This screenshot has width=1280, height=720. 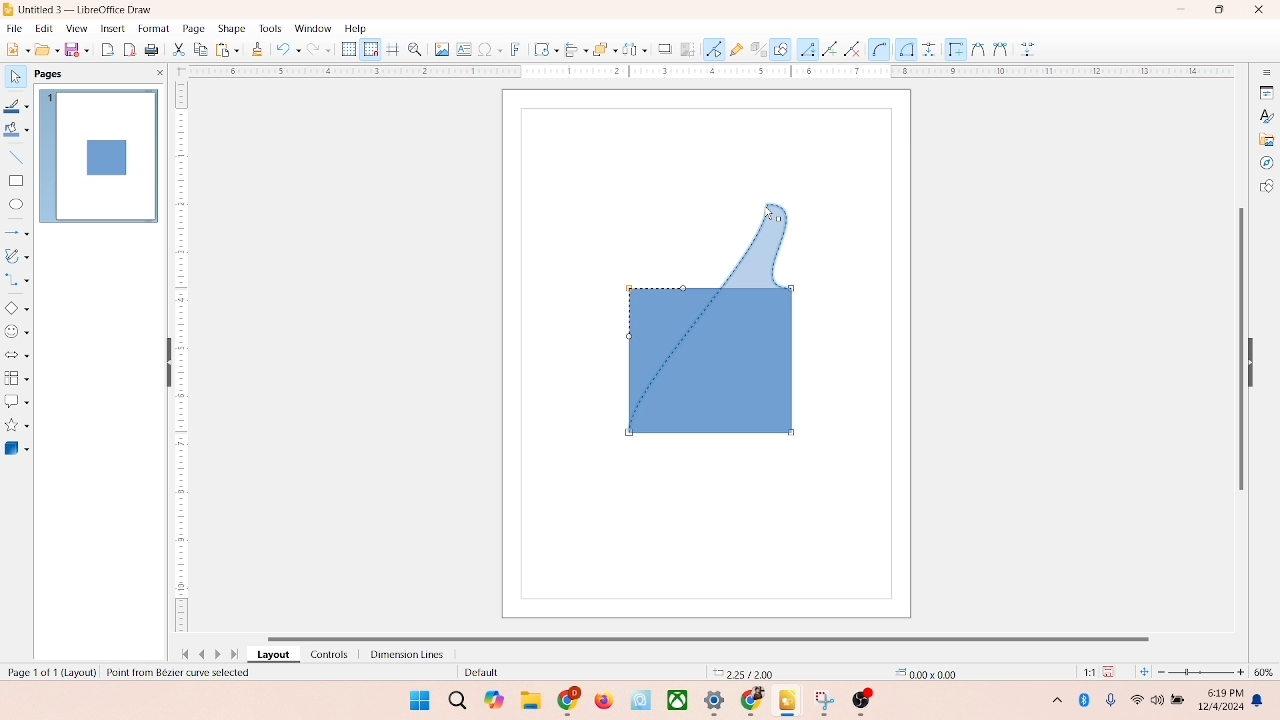 What do you see at coordinates (463, 51) in the screenshot?
I see `textbox` at bounding box center [463, 51].